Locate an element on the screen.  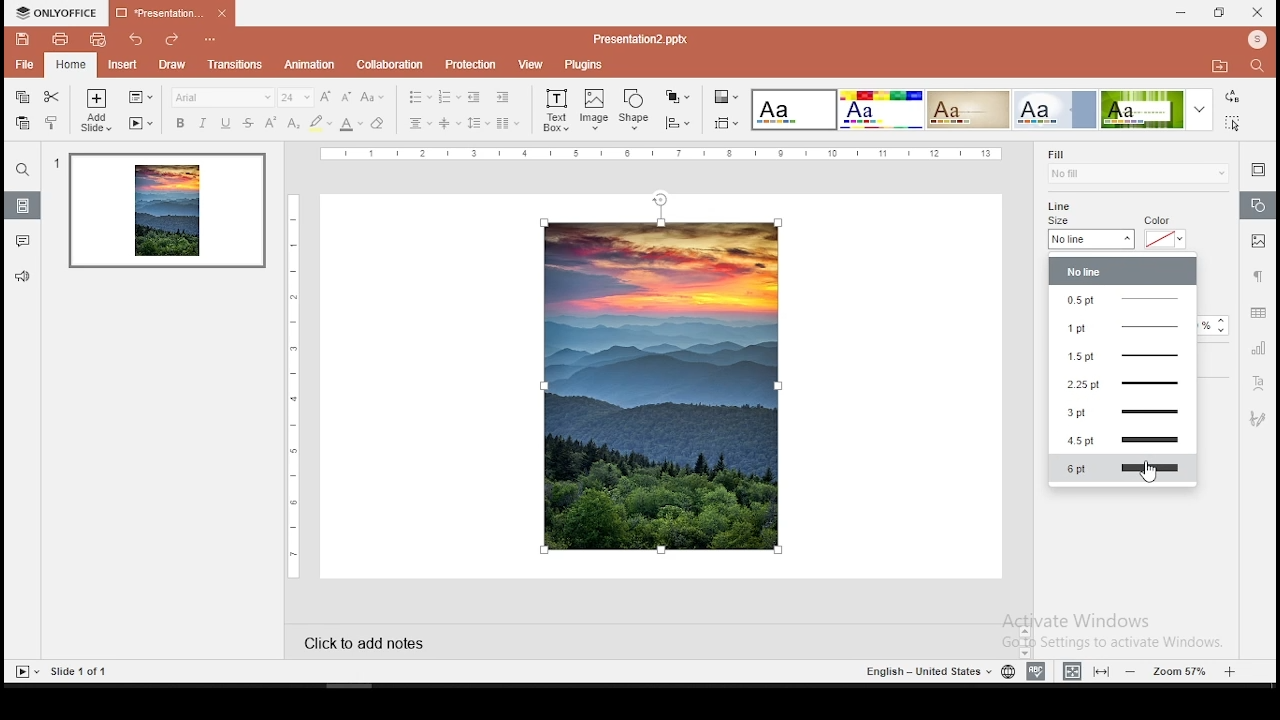
add slide is located at coordinates (95, 110).